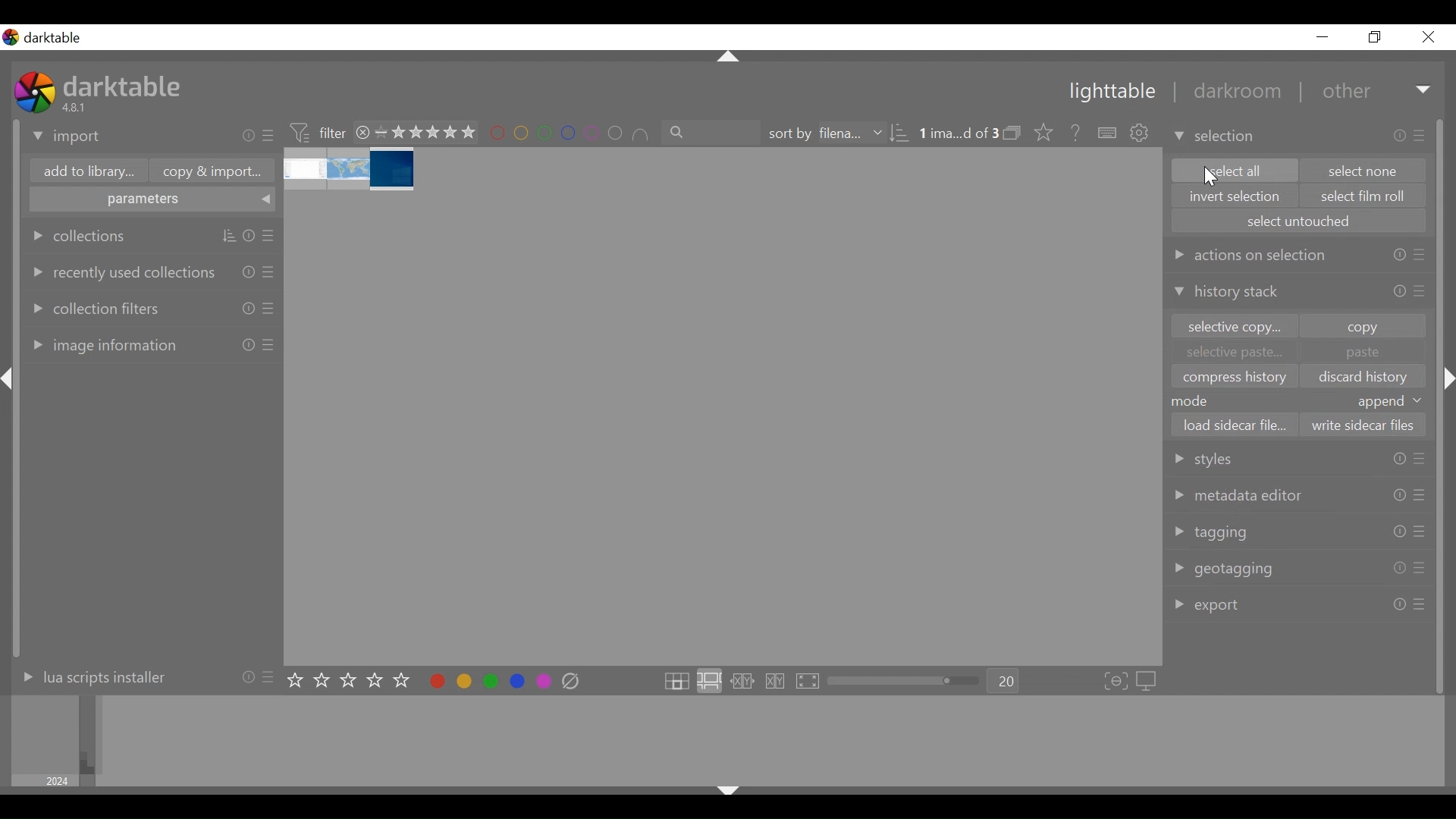  What do you see at coordinates (1399, 458) in the screenshot?
I see `info` at bounding box center [1399, 458].